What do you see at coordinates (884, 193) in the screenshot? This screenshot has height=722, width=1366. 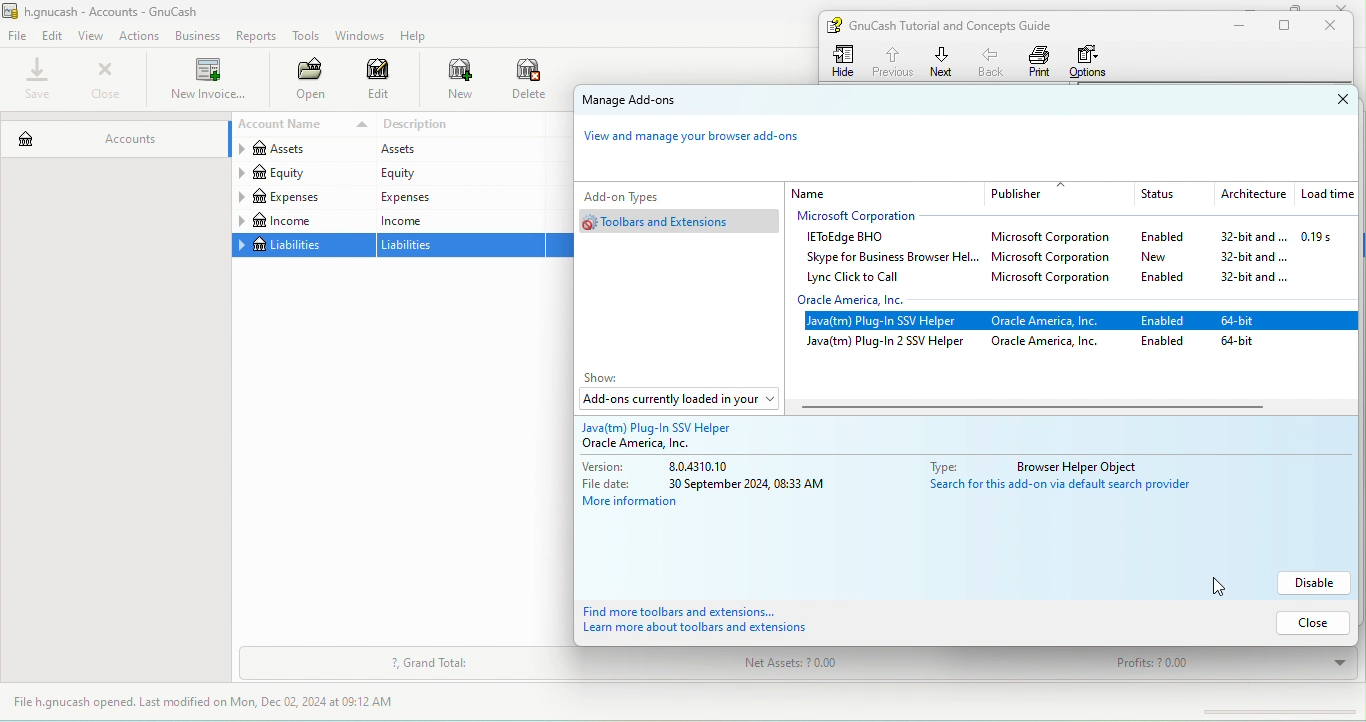 I see `name` at bounding box center [884, 193].